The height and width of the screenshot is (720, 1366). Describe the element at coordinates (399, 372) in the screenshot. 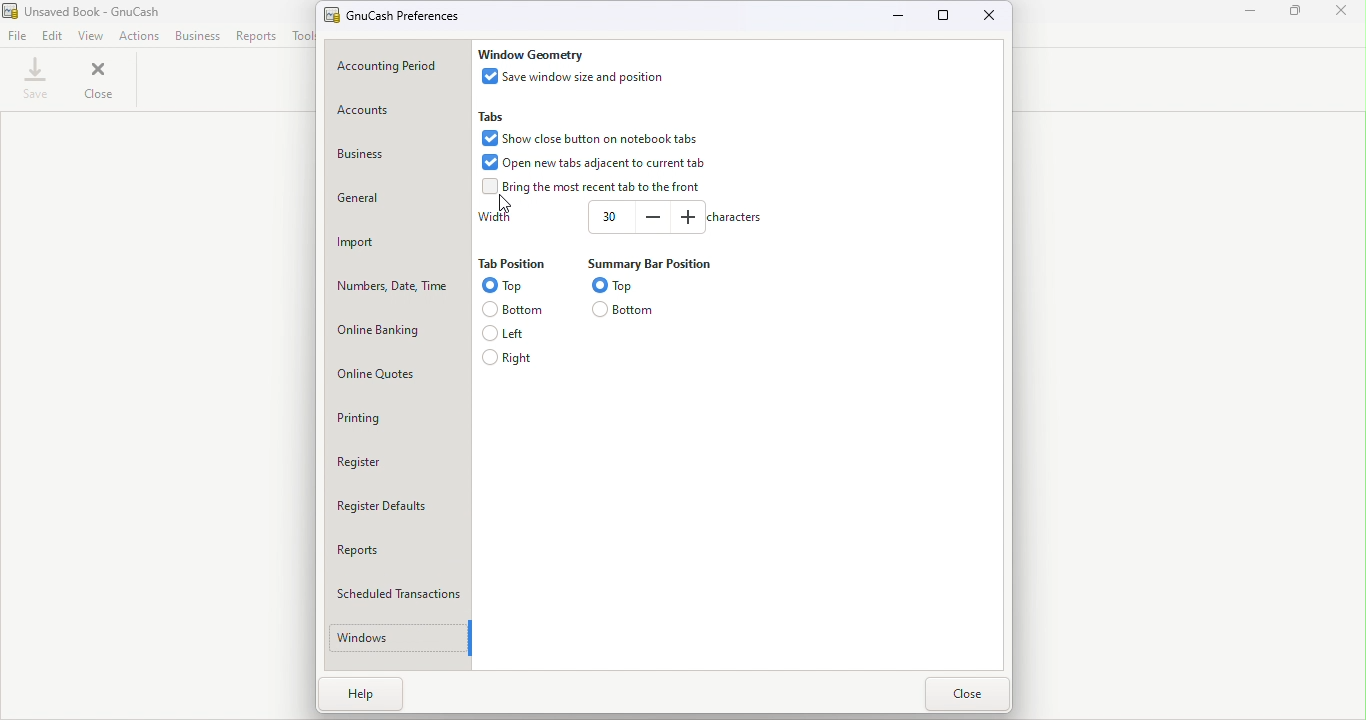

I see `Online quotes` at that location.